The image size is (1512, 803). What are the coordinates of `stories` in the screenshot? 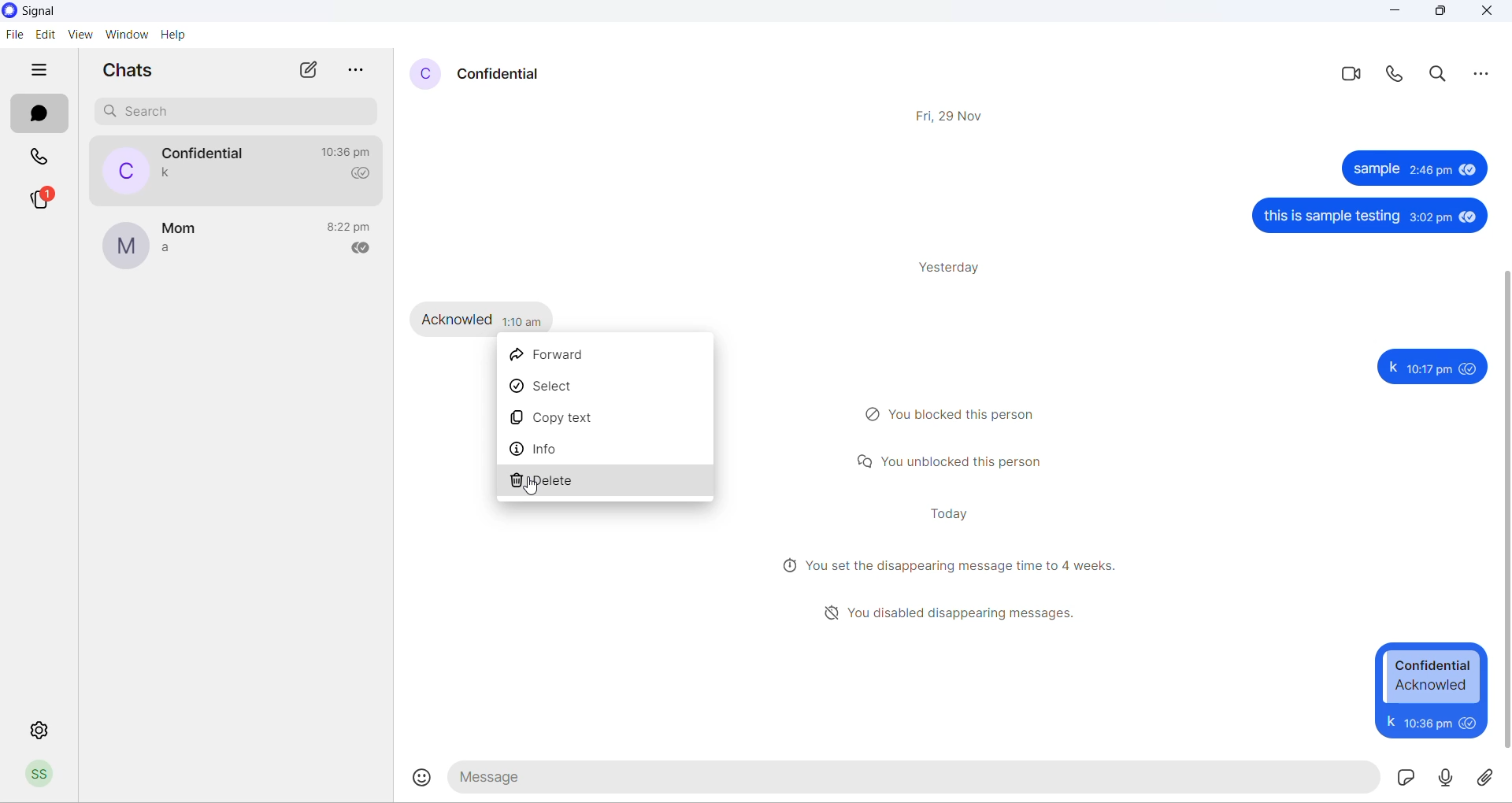 It's located at (40, 198).